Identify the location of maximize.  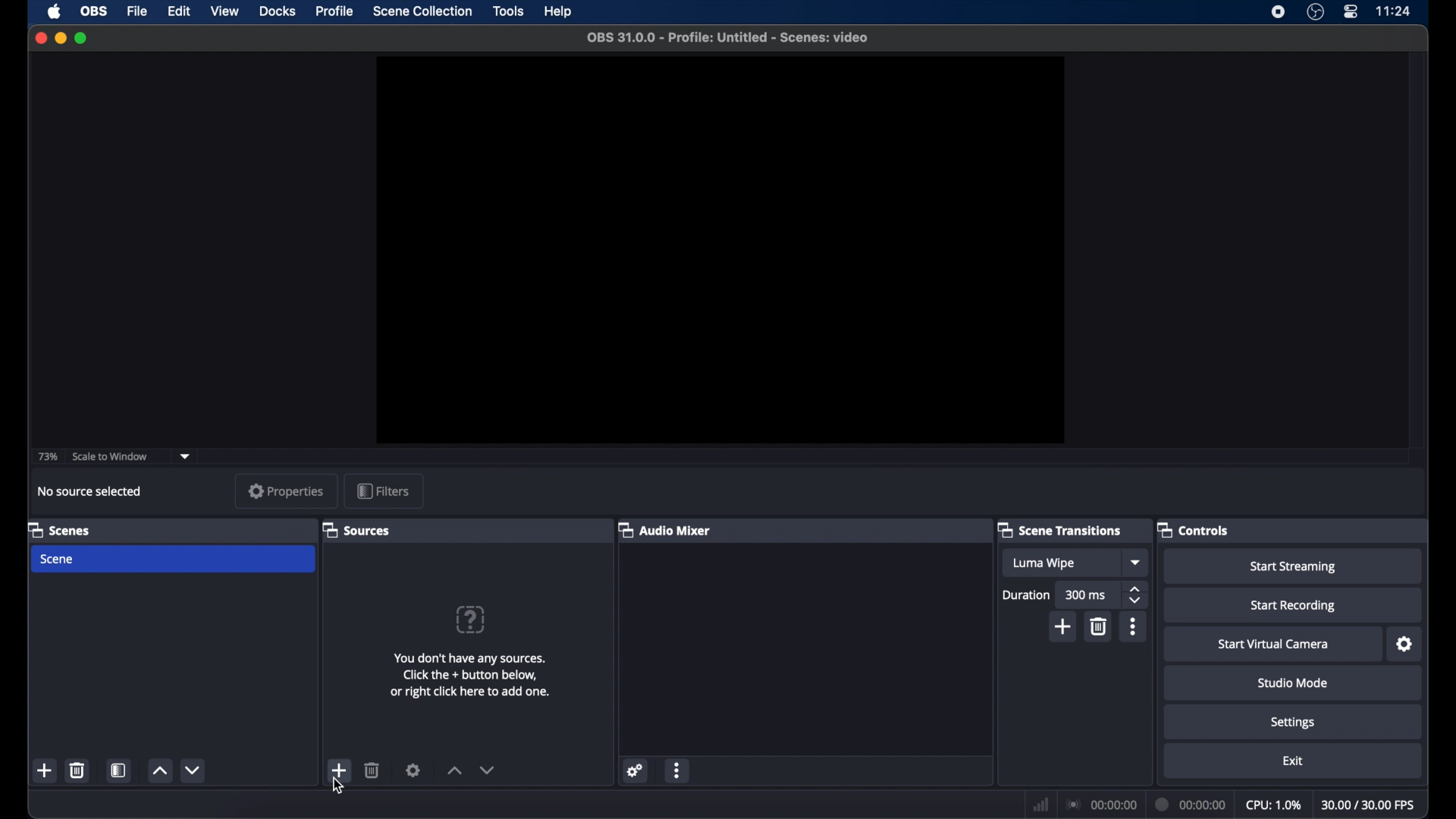
(82, 38).